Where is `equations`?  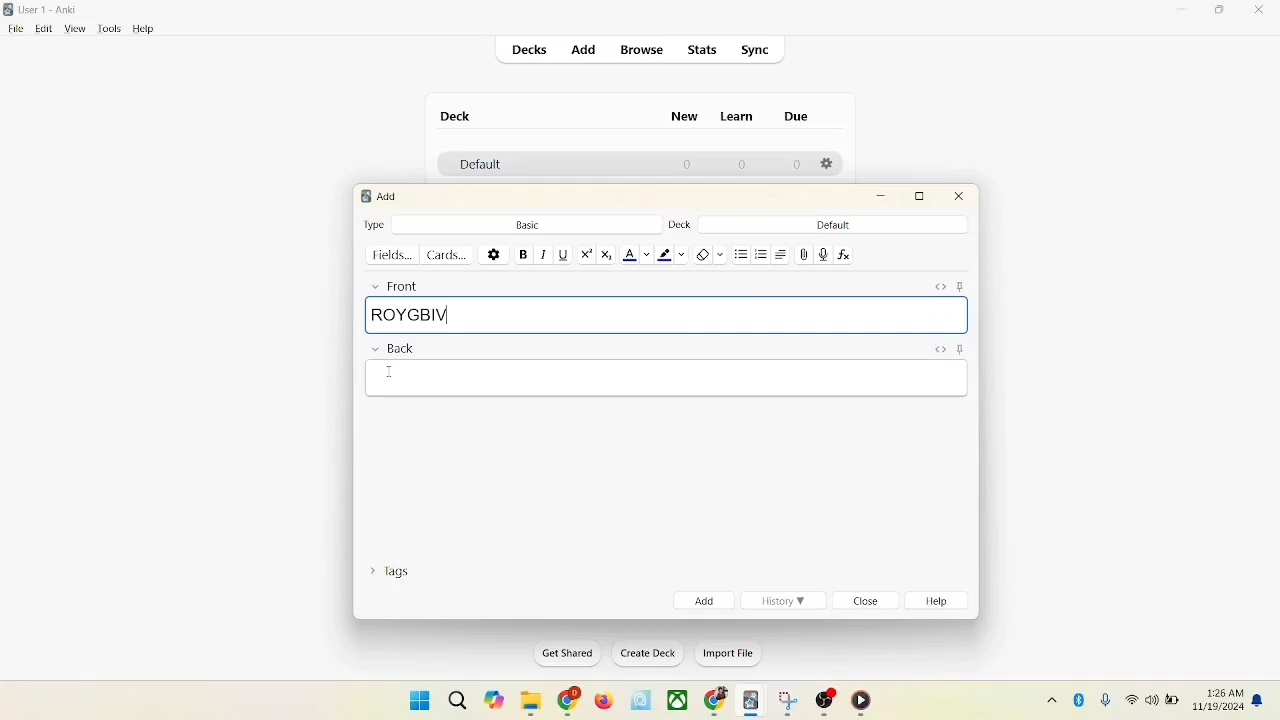 equations is located at coordinates (843, 255).